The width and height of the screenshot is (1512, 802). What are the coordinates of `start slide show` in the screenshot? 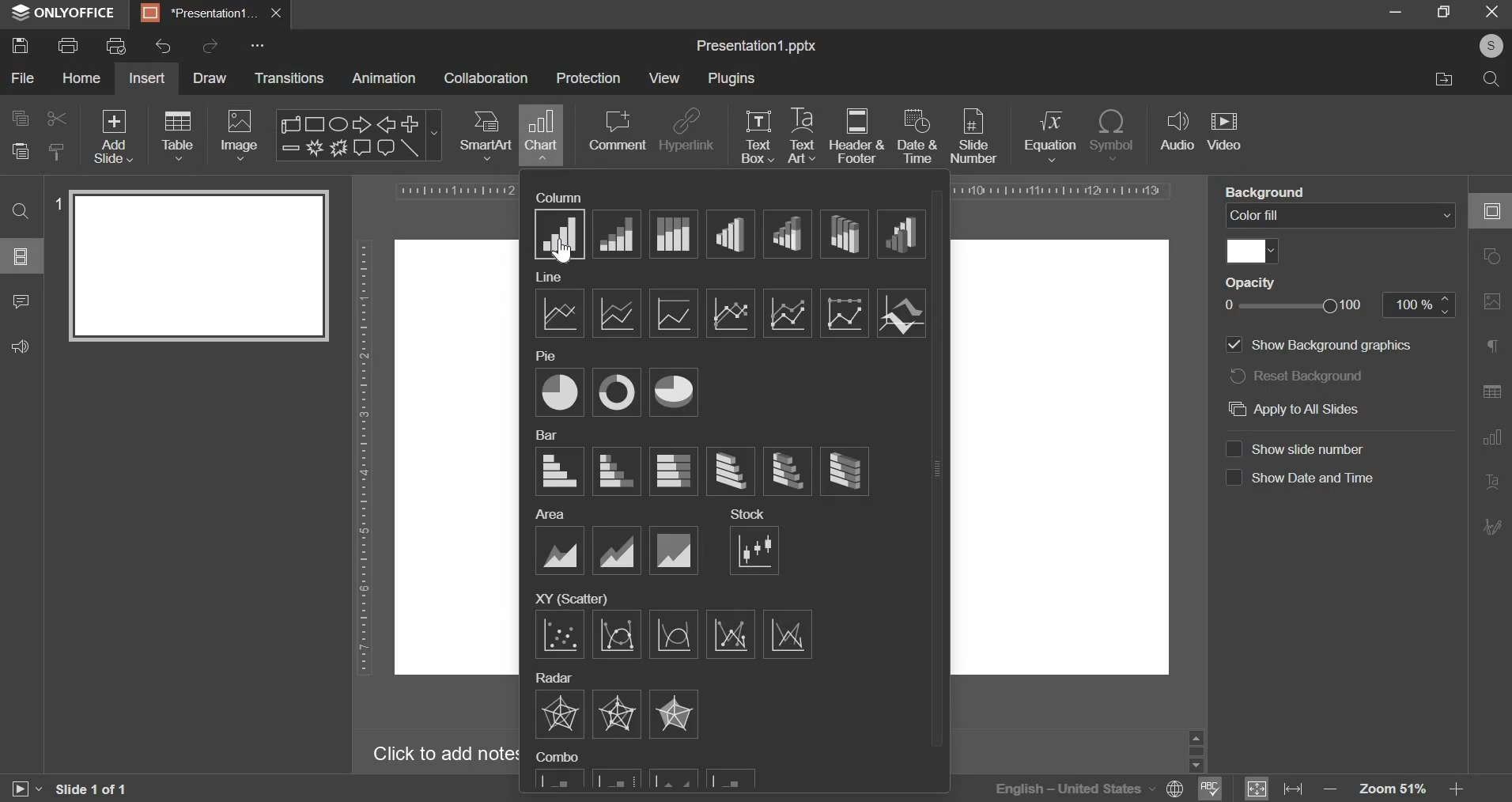 It's located at (25, 789).